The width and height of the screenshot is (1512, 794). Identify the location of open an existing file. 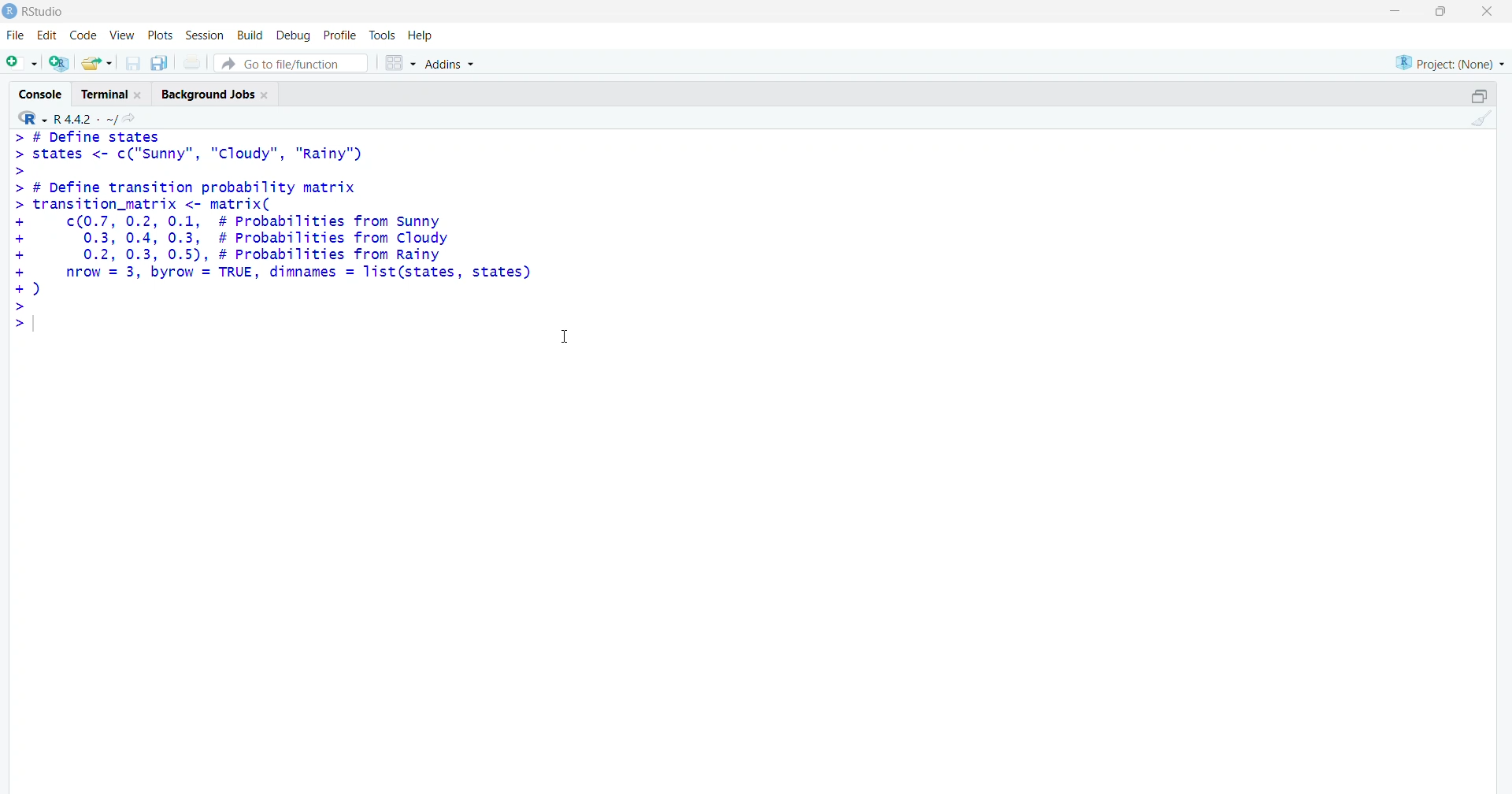
(97, 62).